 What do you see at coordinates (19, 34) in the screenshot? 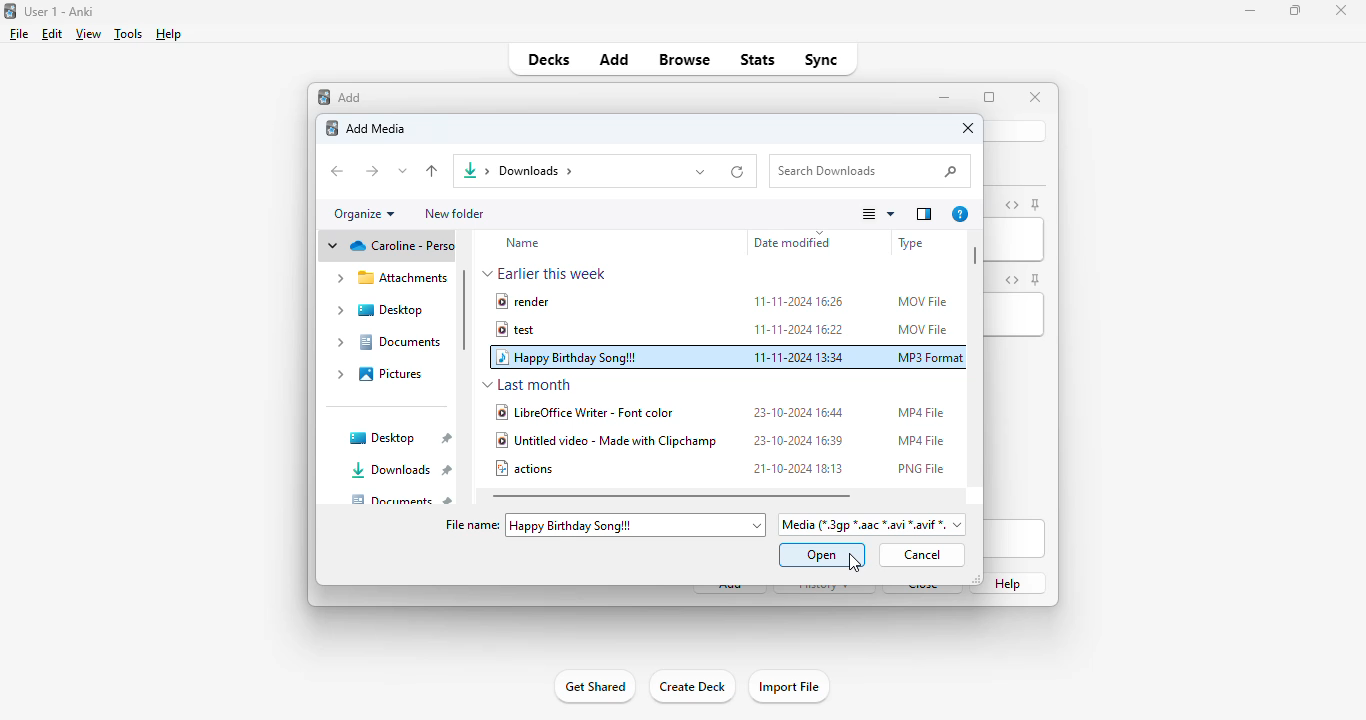
I see `file` at bounding box center [19, 34].